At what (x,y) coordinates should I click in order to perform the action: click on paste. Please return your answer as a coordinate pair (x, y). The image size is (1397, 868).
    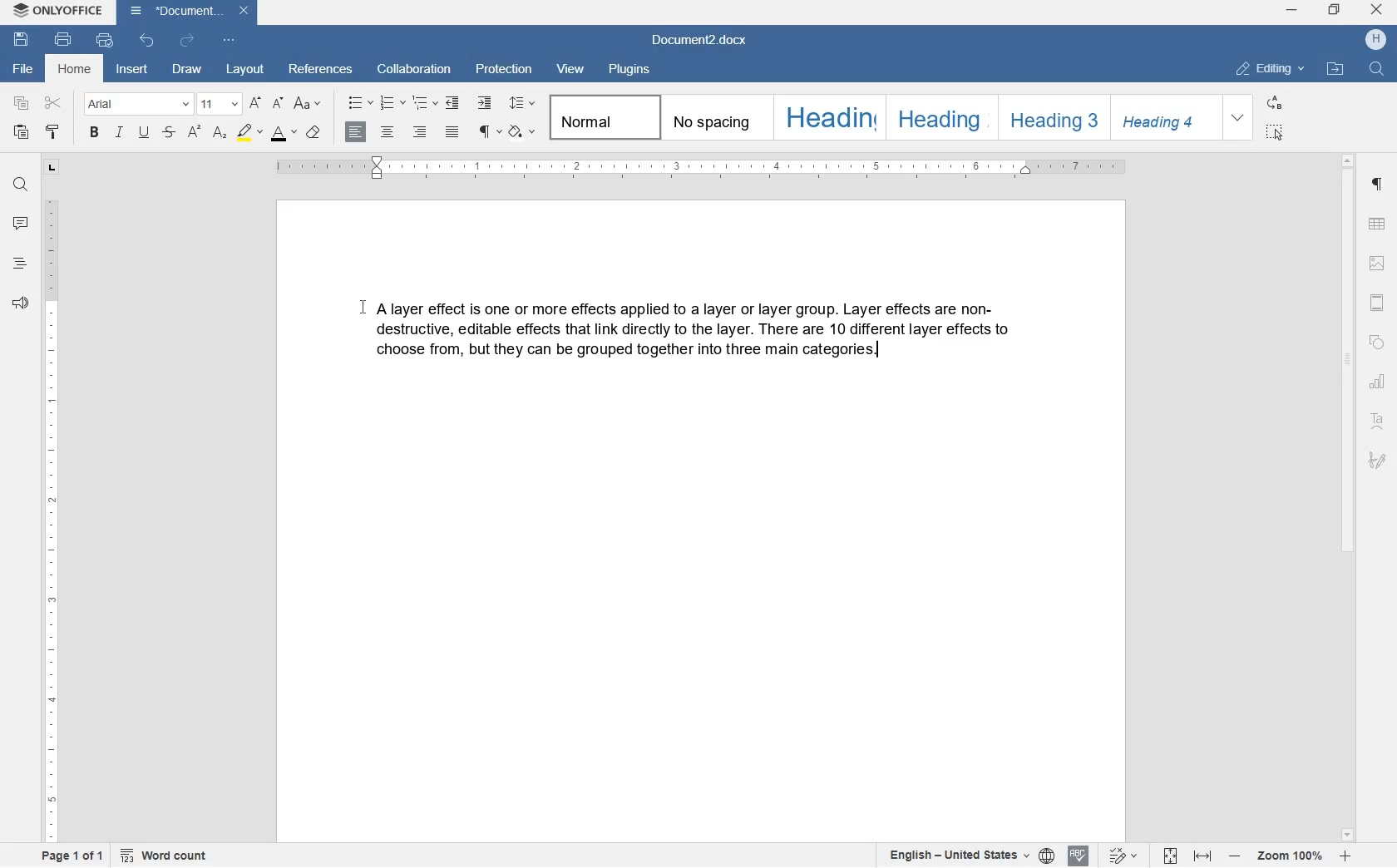
    Looking at the image, I should click on (23, 133).